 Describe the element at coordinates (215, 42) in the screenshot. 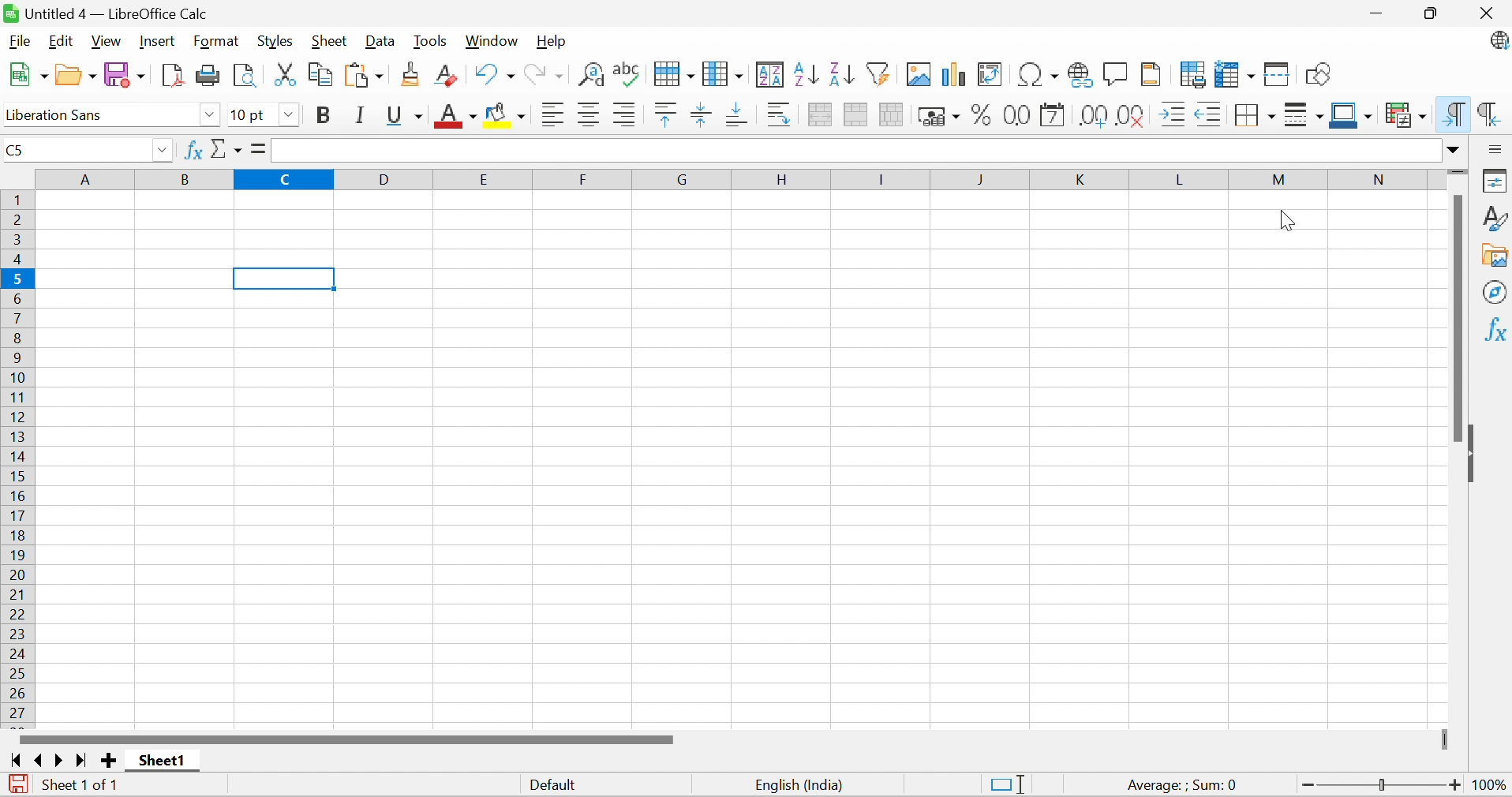

I see `Format` at that location.